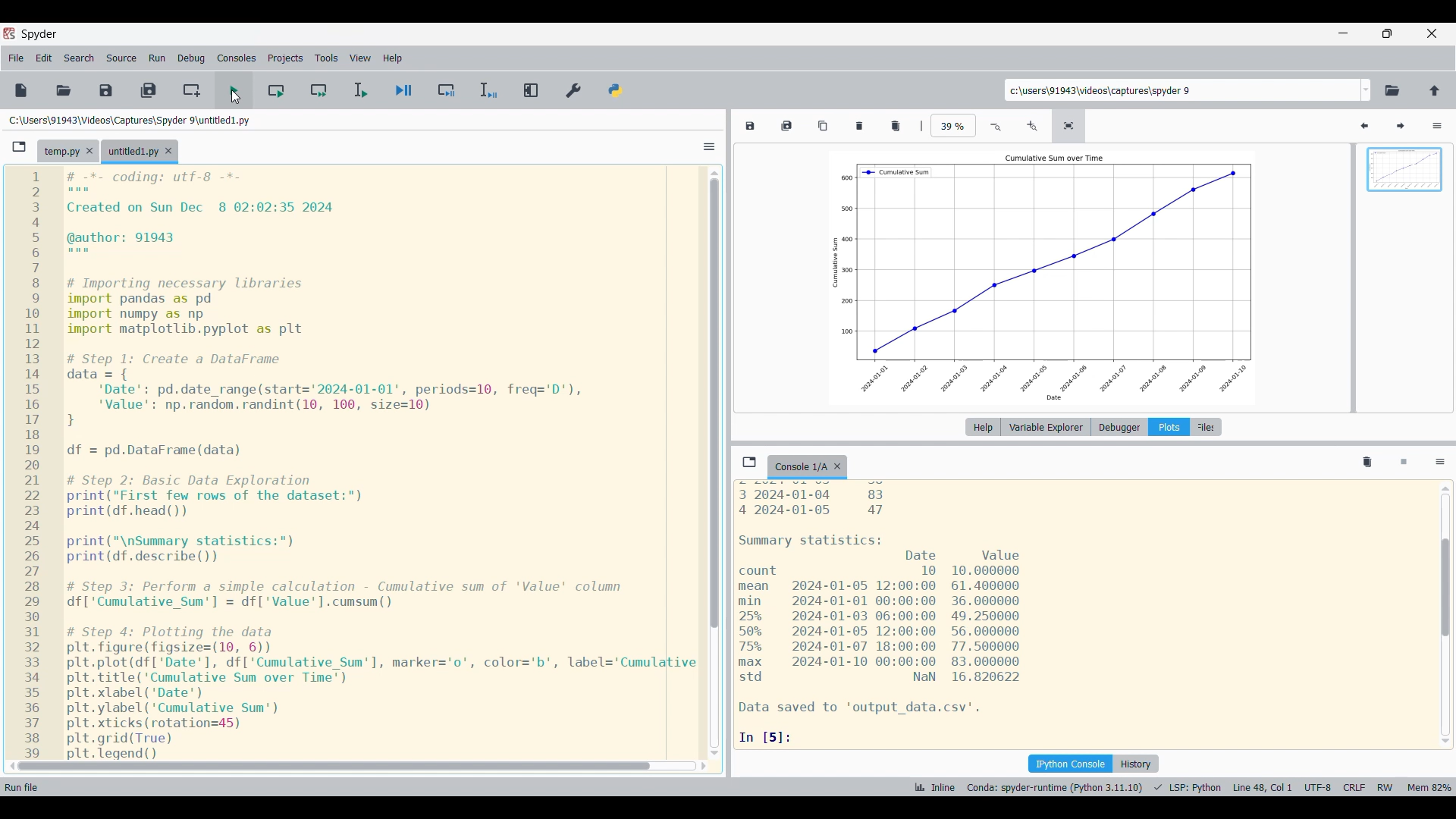  I want to click on Zoom in, so click(1033, 126).